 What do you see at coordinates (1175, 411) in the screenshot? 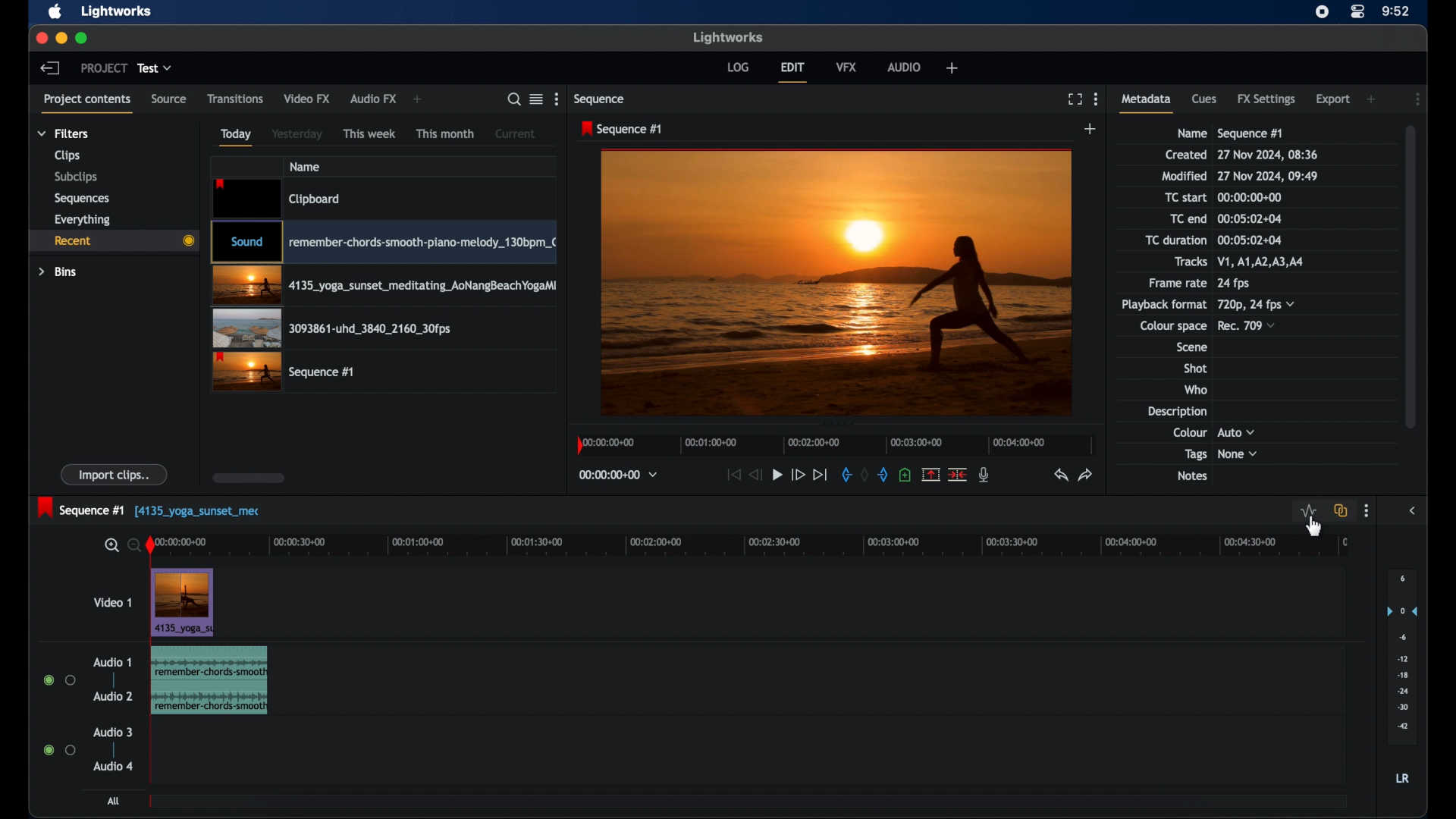
I see `description` at bounding box center [1175, 411].